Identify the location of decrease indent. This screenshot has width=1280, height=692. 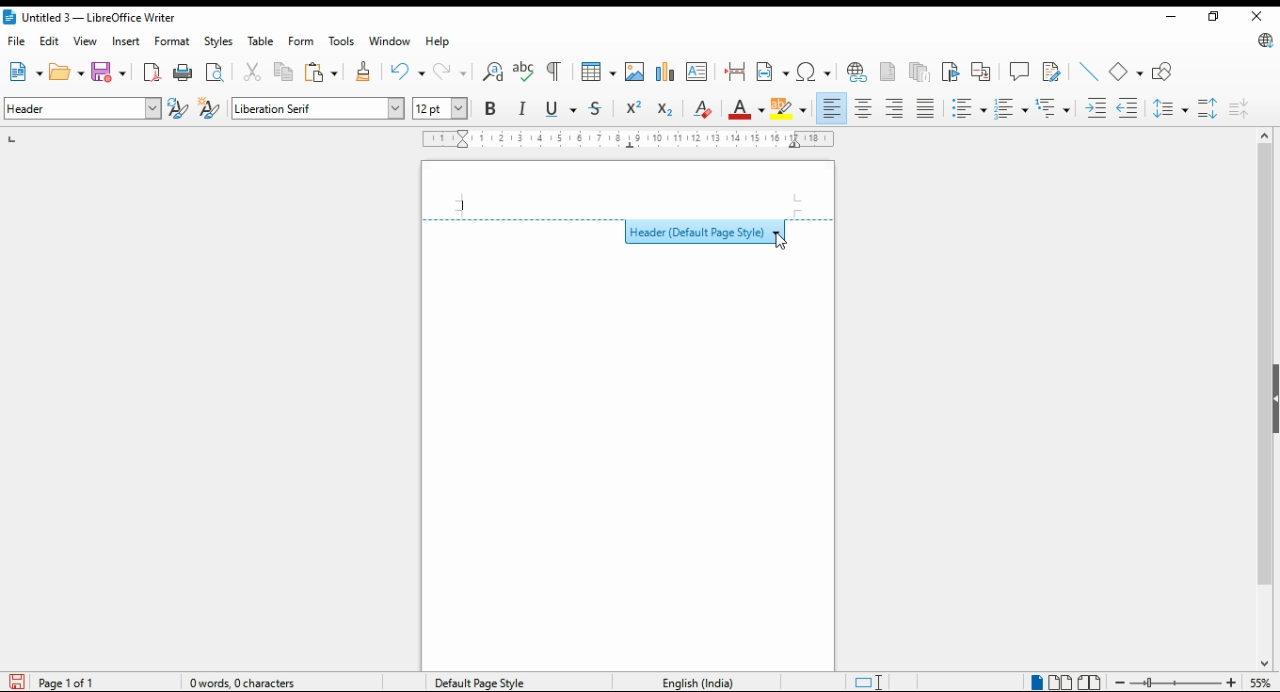
(1129, 107).